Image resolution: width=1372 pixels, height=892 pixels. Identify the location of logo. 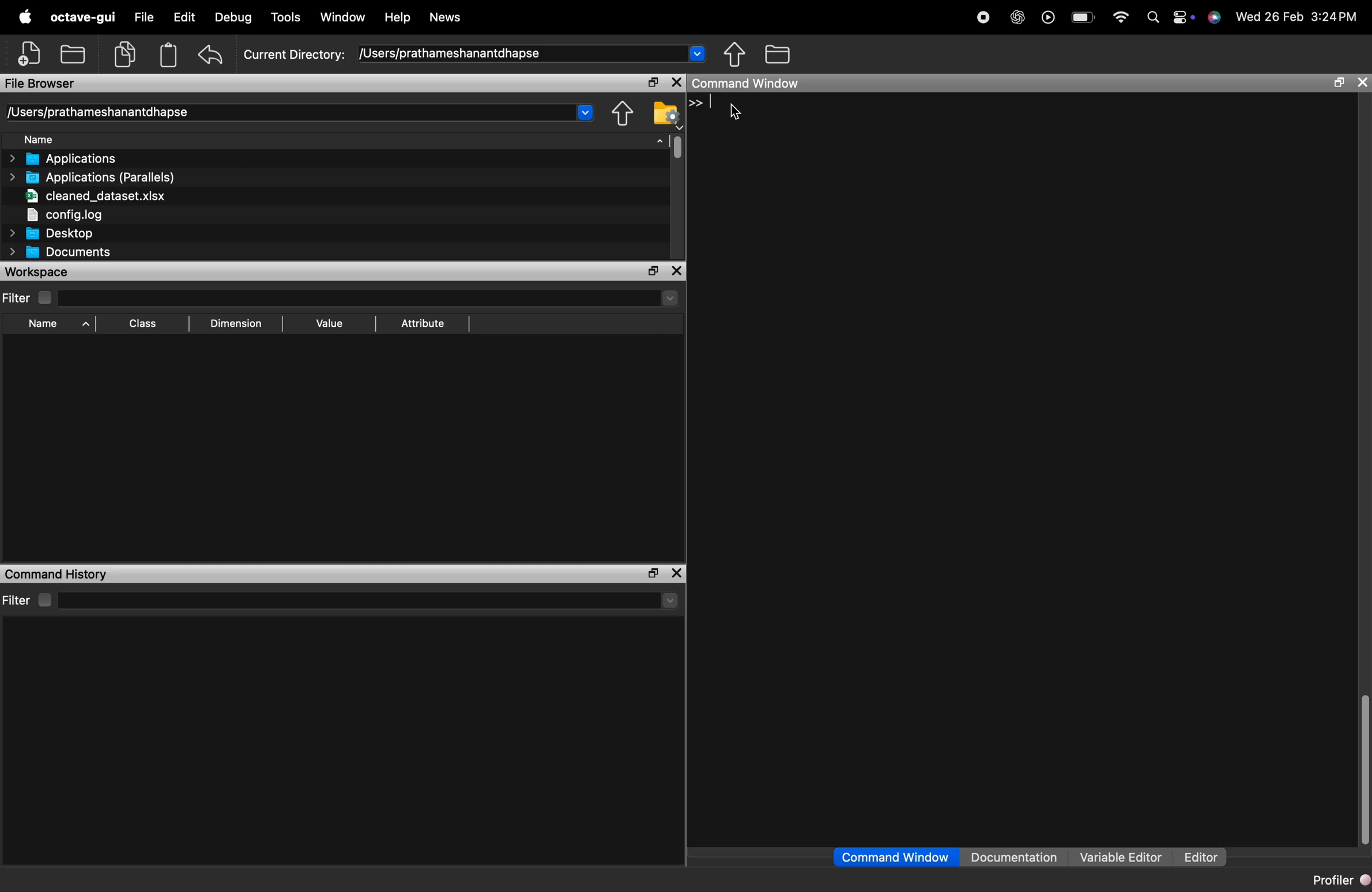
(26, 18).